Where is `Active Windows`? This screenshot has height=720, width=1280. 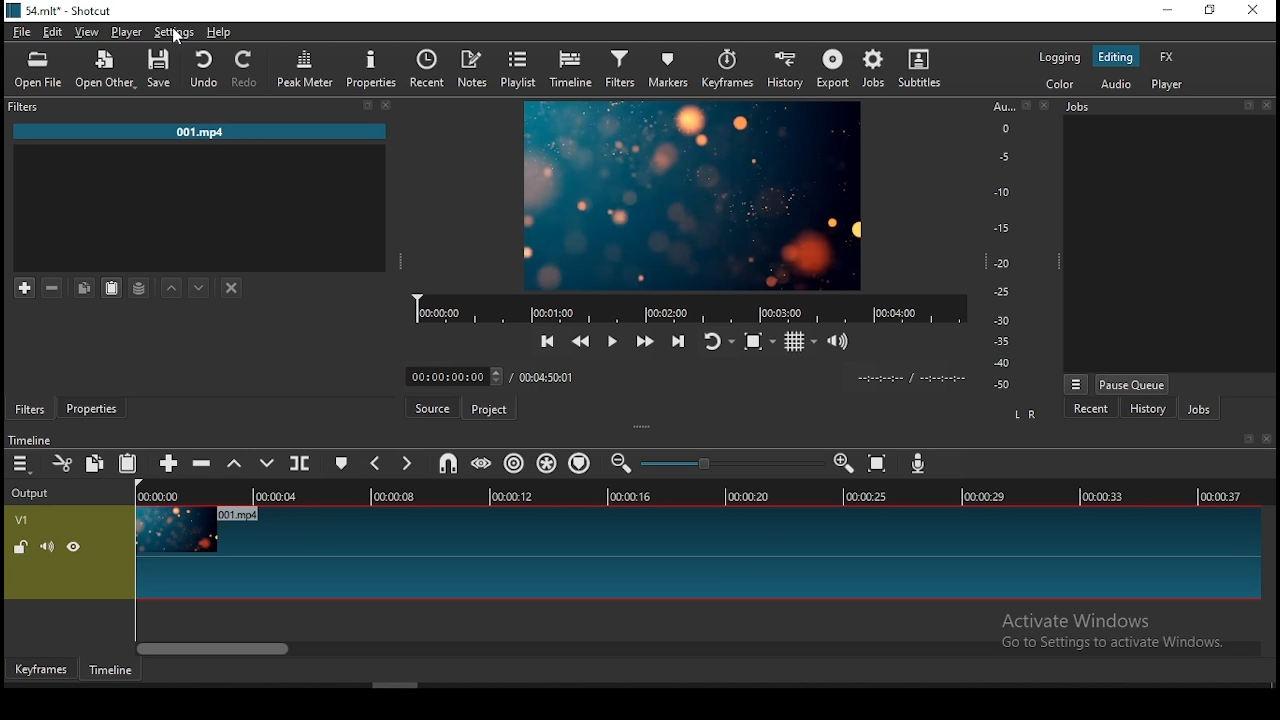
Active Windows is located at coordinates (1084, 621).